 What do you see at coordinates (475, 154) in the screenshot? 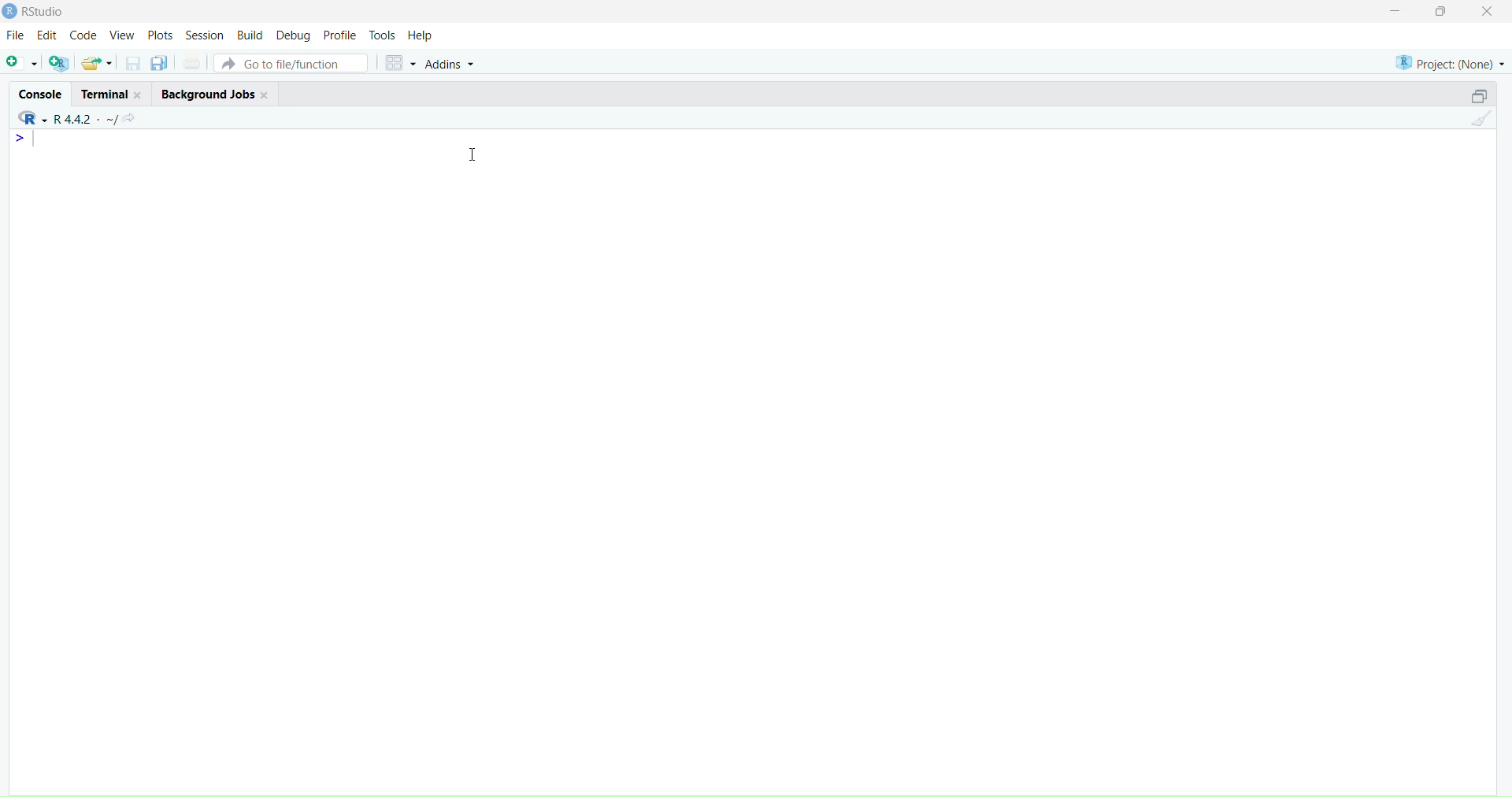
I see `cursor` at bounding box center [475, 154].